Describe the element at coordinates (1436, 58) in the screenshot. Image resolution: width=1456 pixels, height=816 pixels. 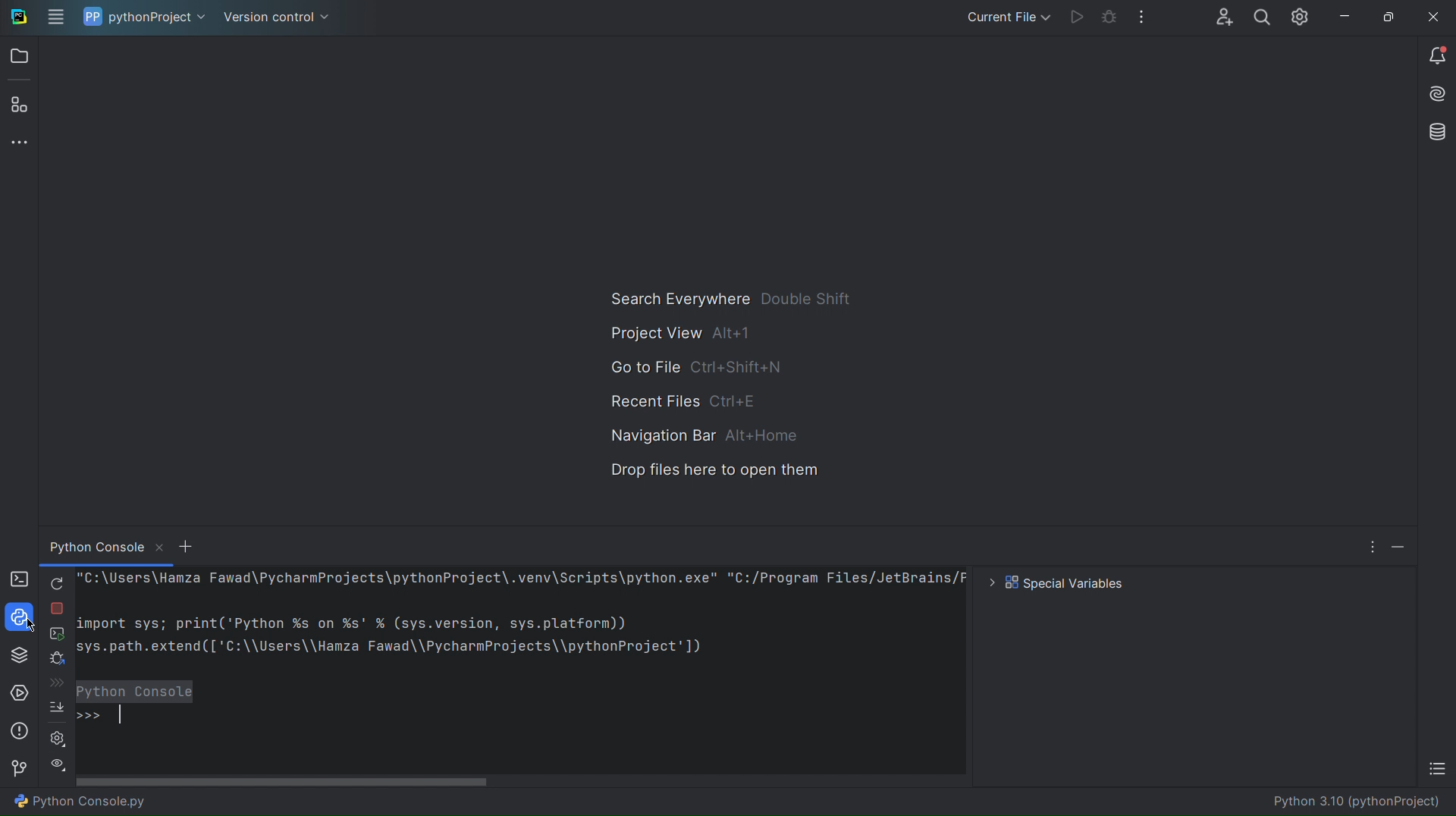
I see `Notifications` at that location.